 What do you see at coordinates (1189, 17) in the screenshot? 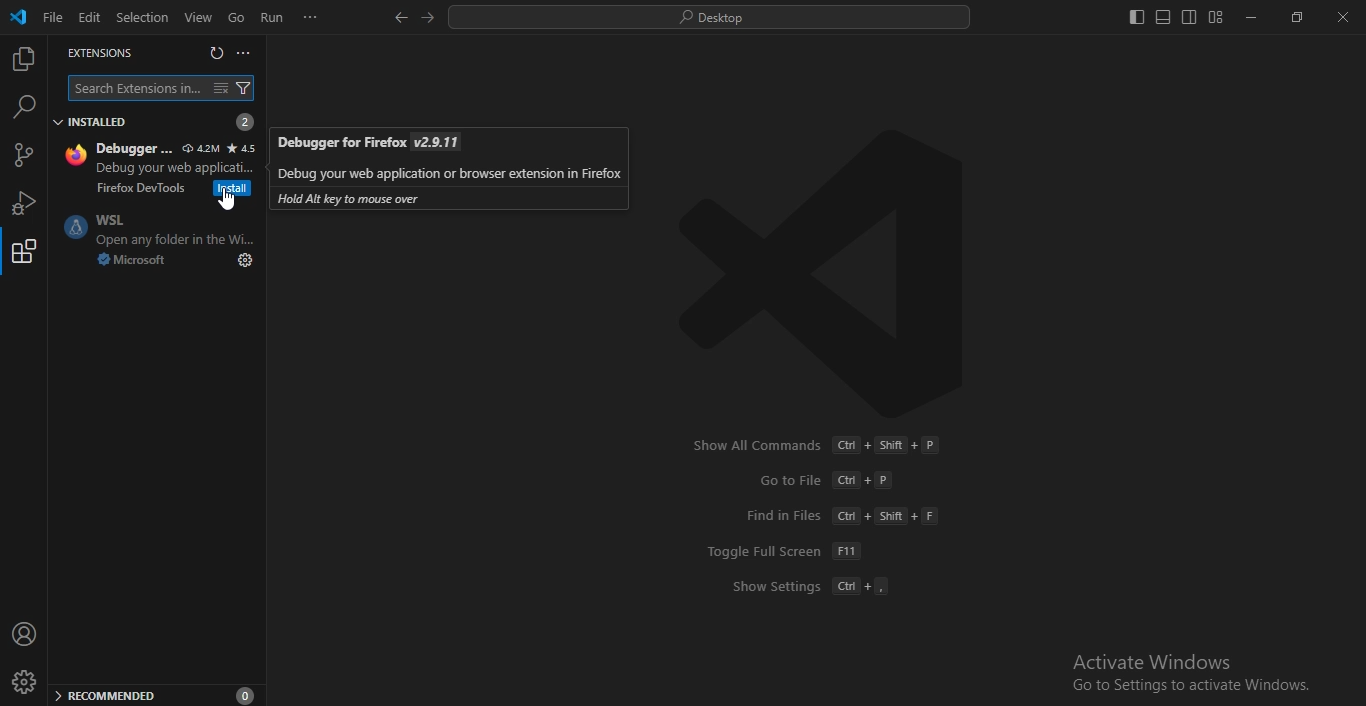
I see `toggle secondary side bar` at bounding box center [1189, 17].